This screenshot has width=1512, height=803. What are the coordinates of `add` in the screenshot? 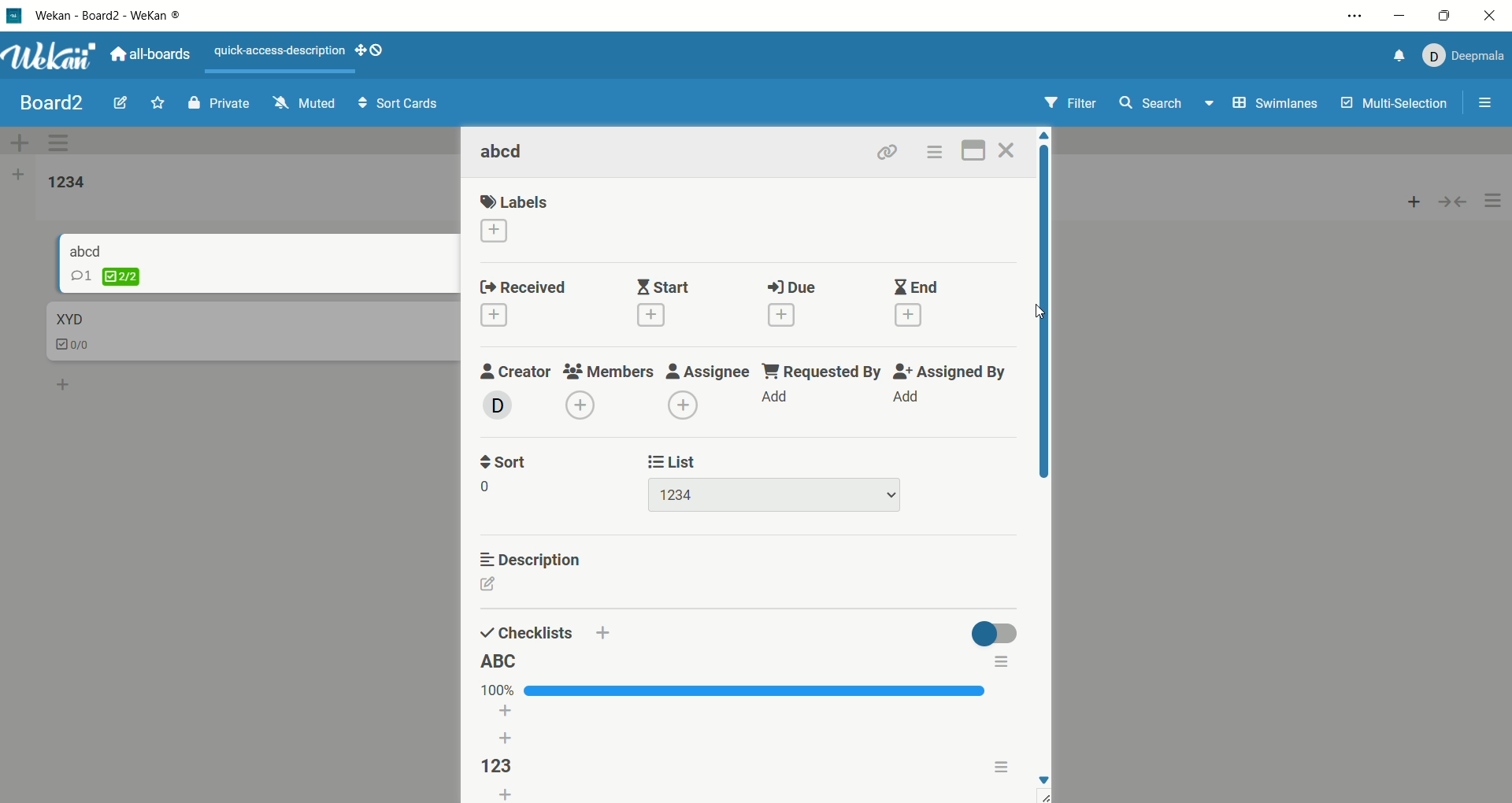 It's located at (493, 231).